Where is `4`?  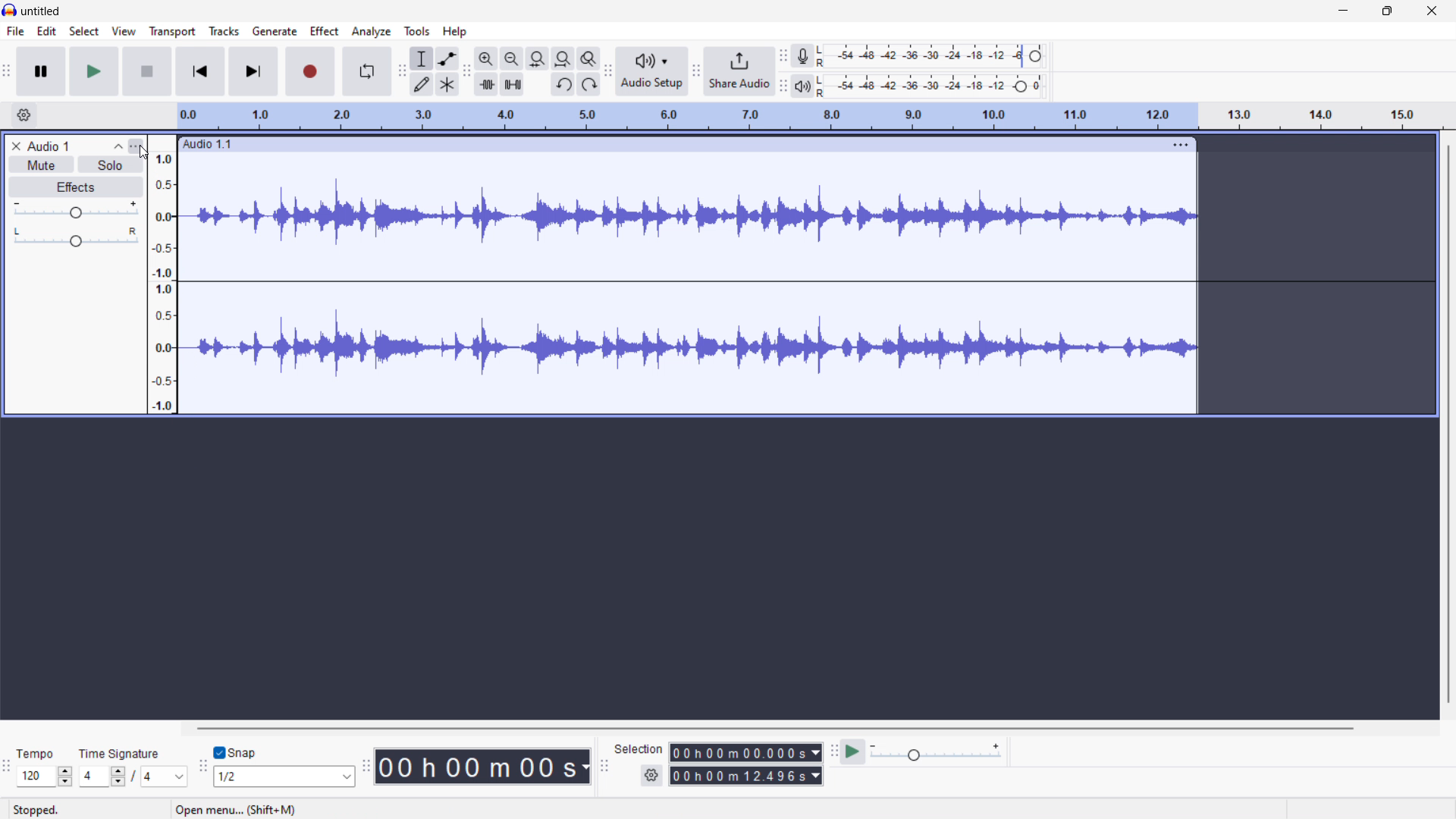
4 is located at coordinates (90, 777).